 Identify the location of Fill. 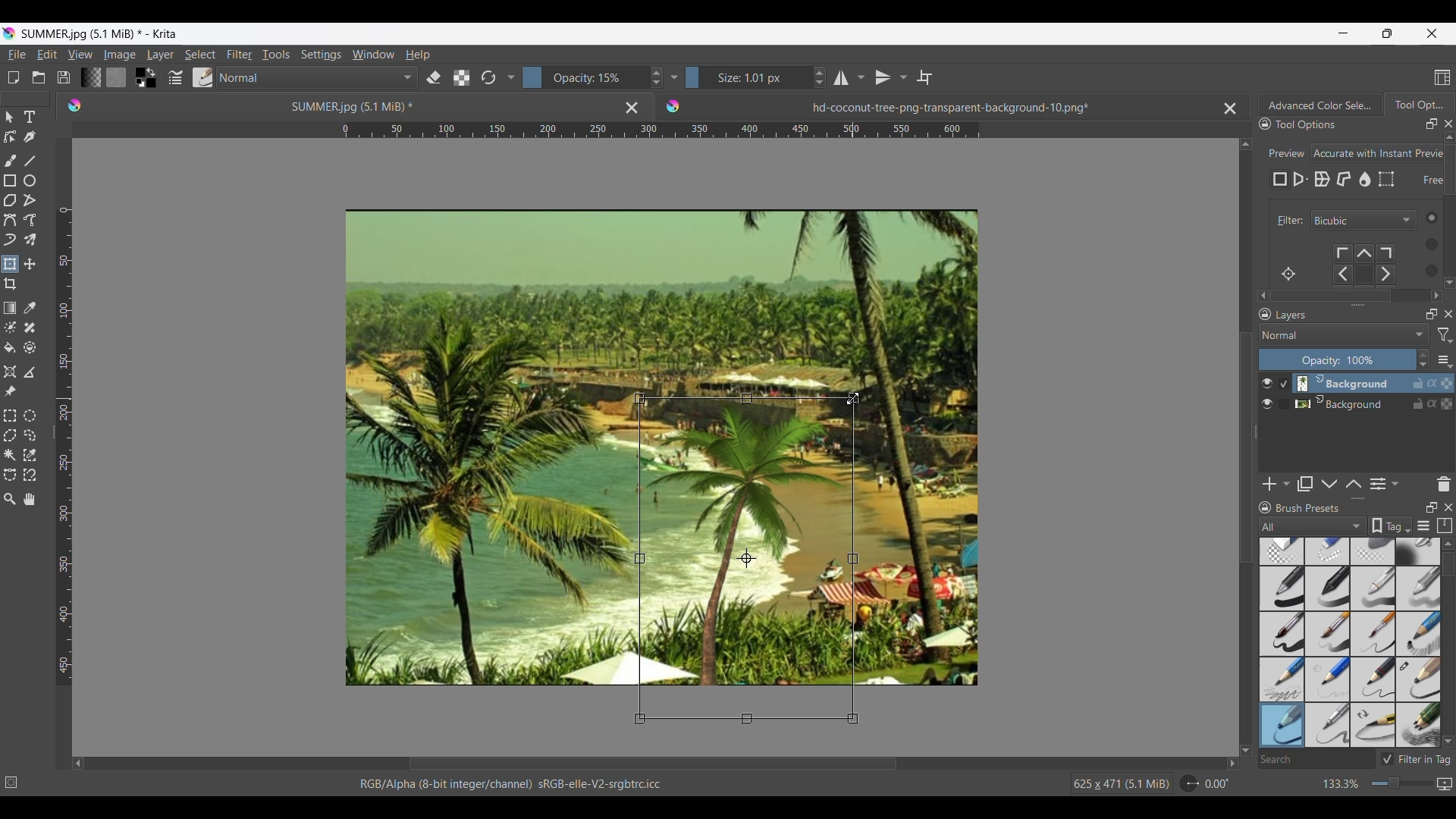
(10, 347).